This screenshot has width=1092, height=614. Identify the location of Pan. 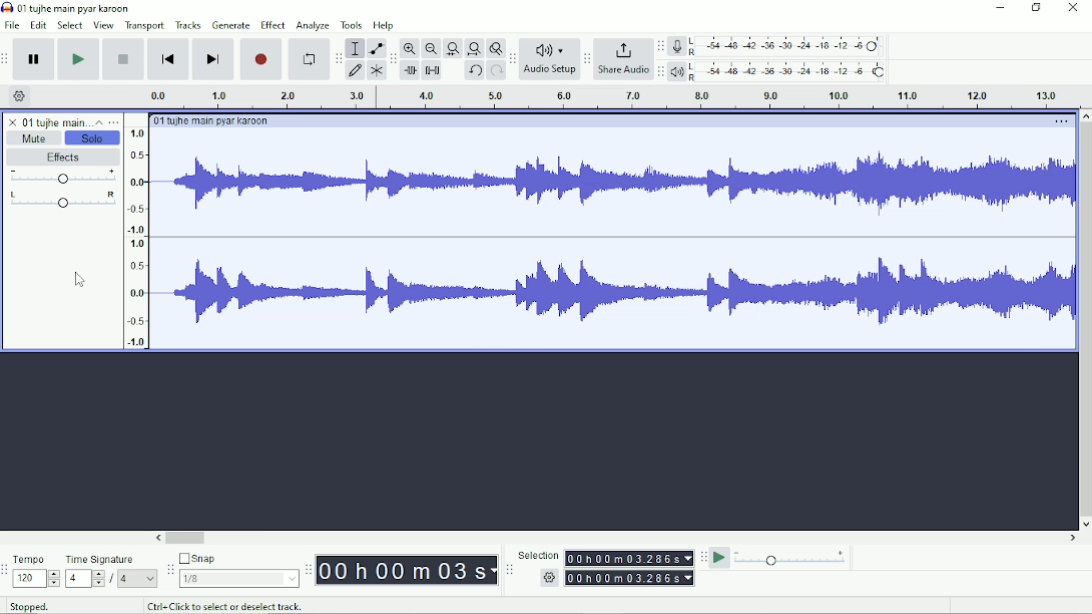
(63, 202).